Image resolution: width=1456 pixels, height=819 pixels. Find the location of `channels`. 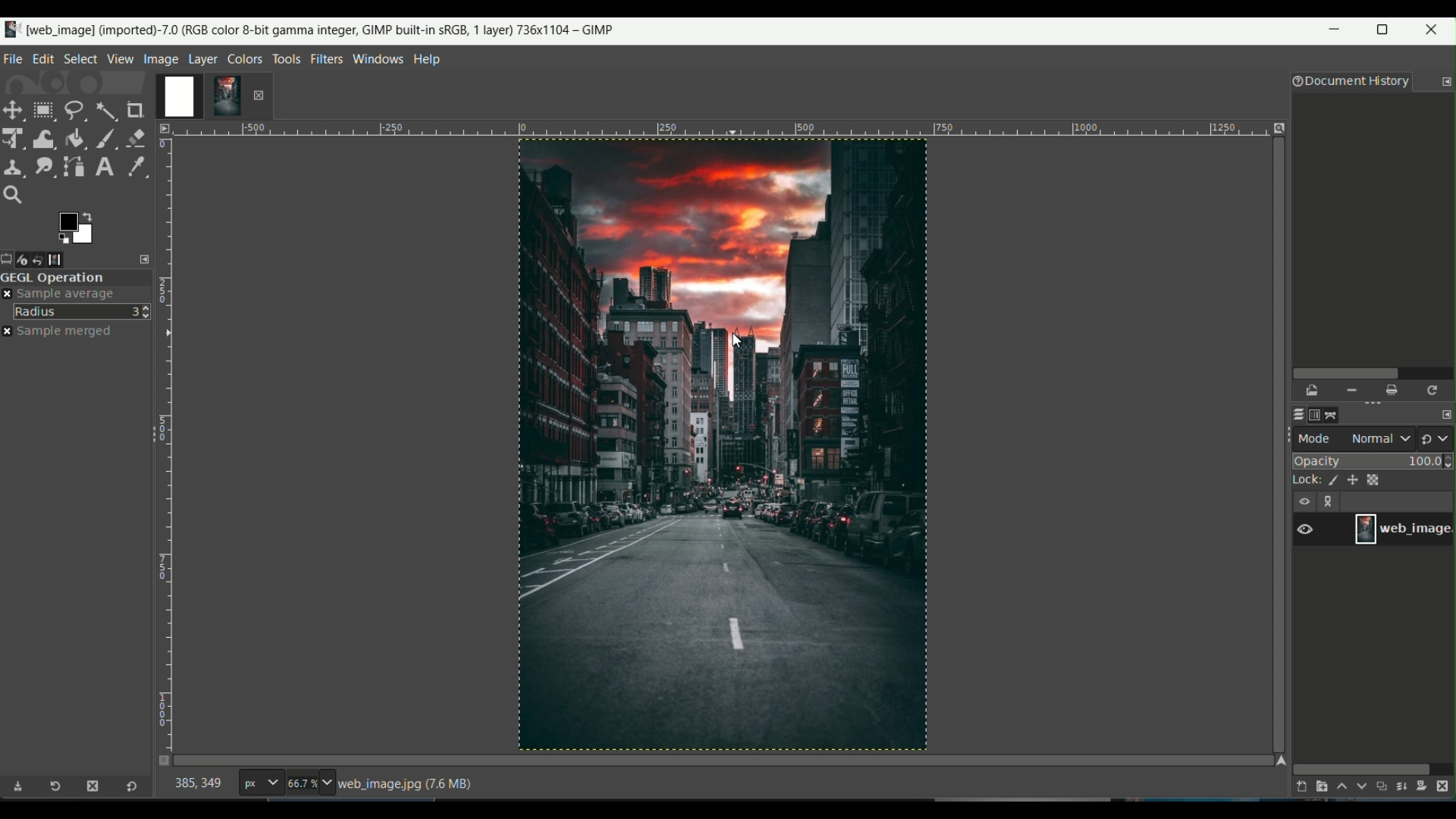

channels is located at coordinates (1316, 415).